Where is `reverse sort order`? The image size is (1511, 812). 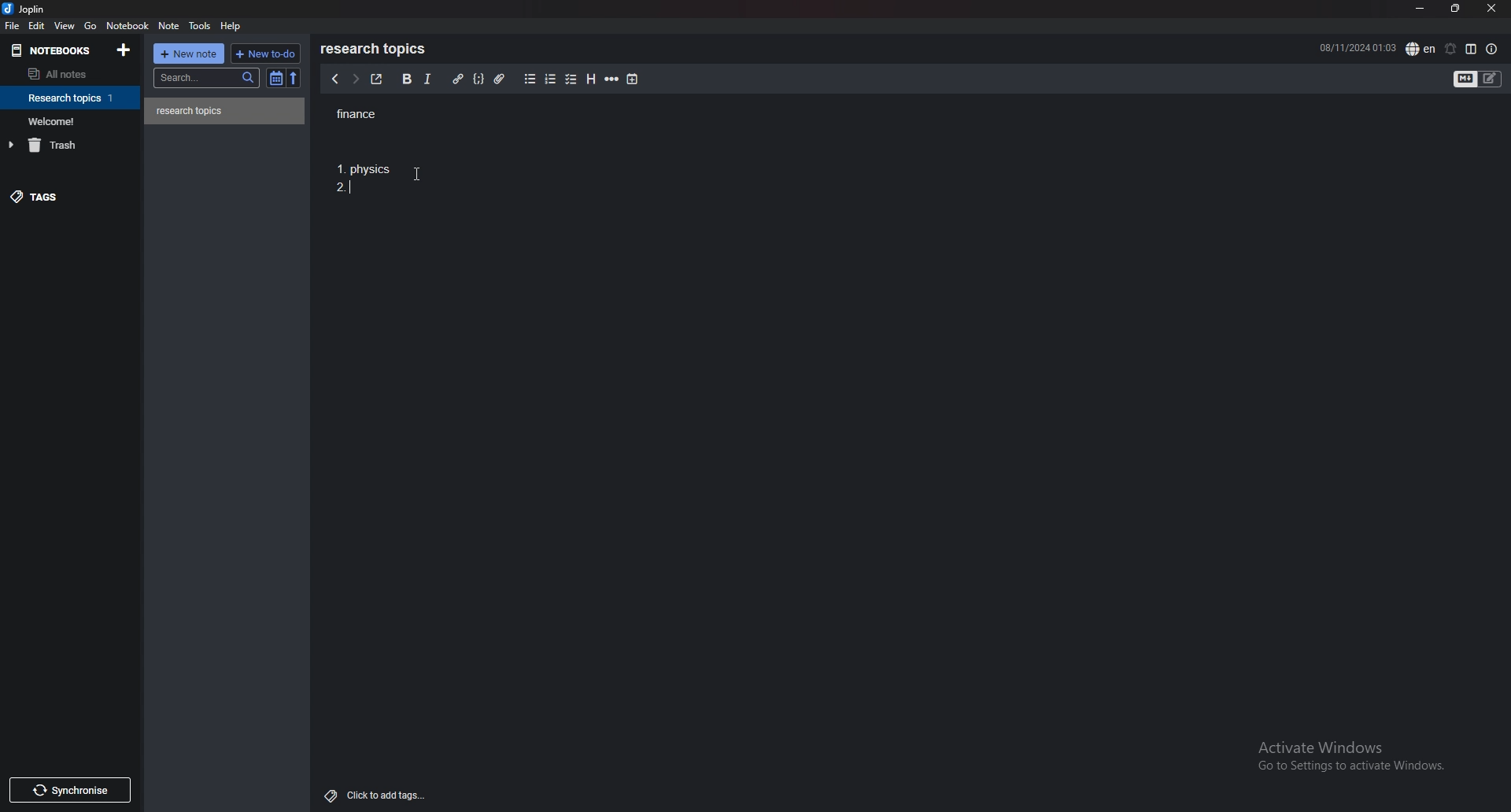 reverse sort order is located at coordinates (293, 78).